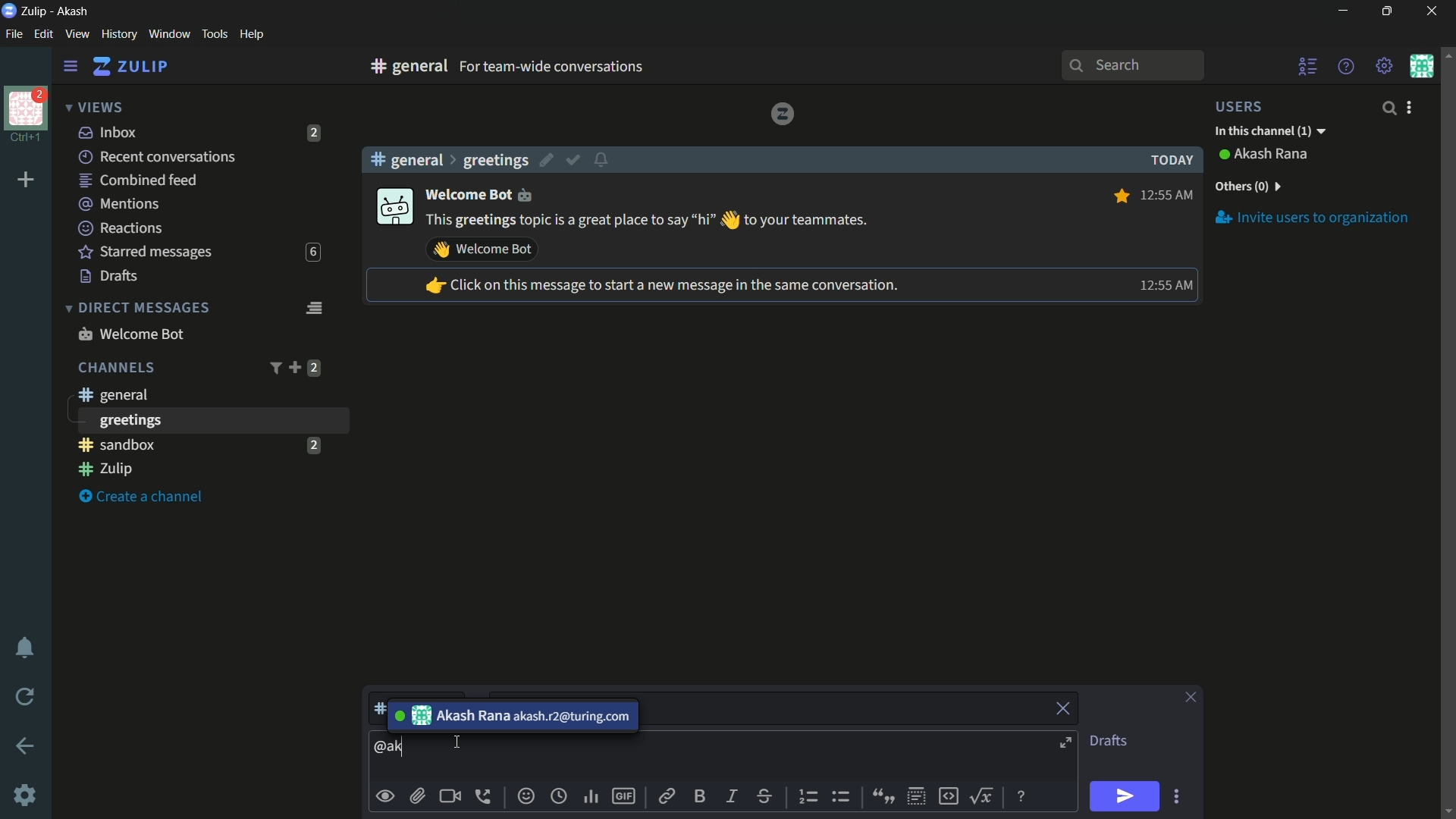 The image size is (1456, 819). Describe the element at coordinates (27, 180) in the screenshot. I see `add organization` at that location.